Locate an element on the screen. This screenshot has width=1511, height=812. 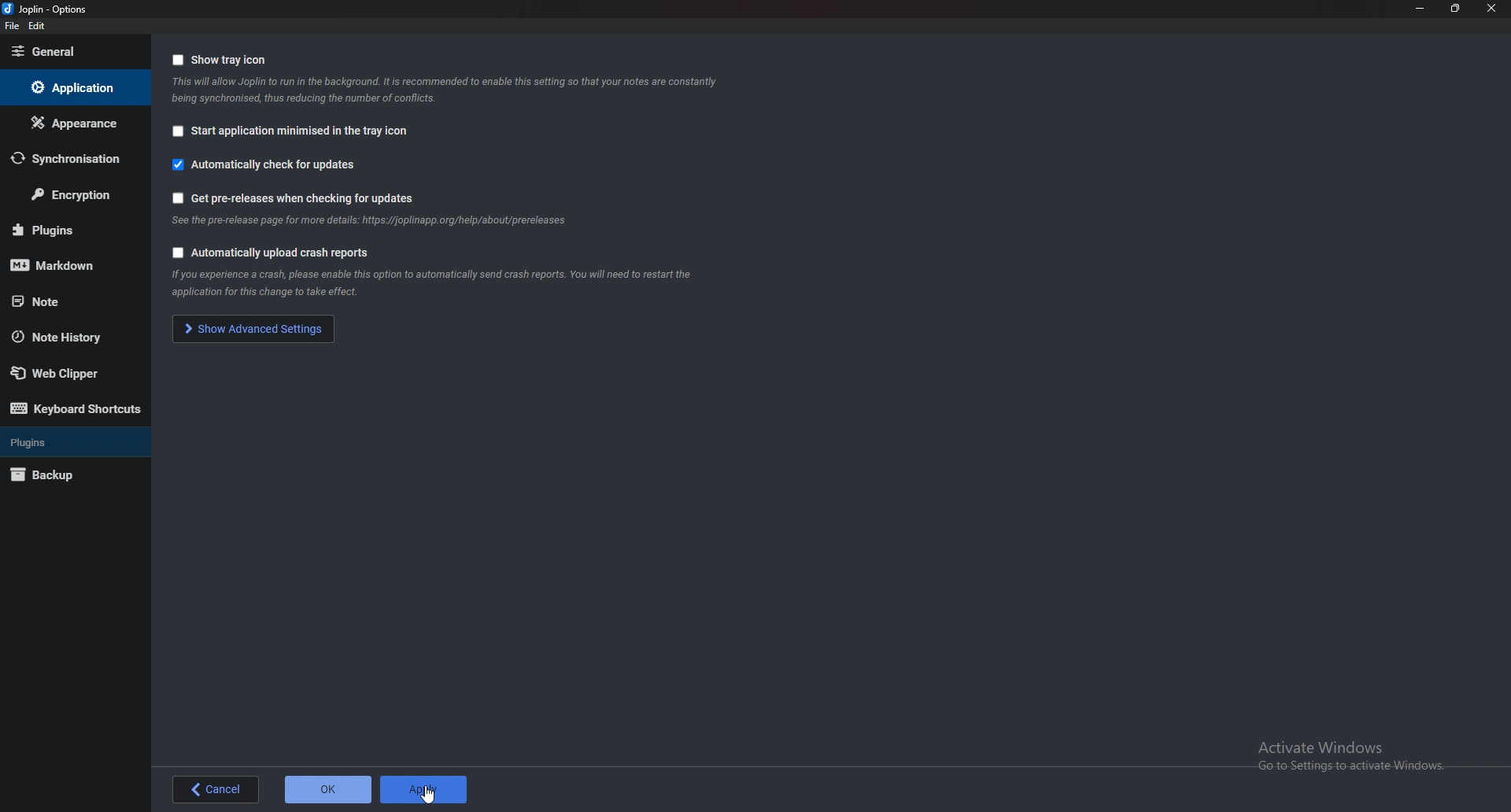
Application is located at coordinates (73, 88).